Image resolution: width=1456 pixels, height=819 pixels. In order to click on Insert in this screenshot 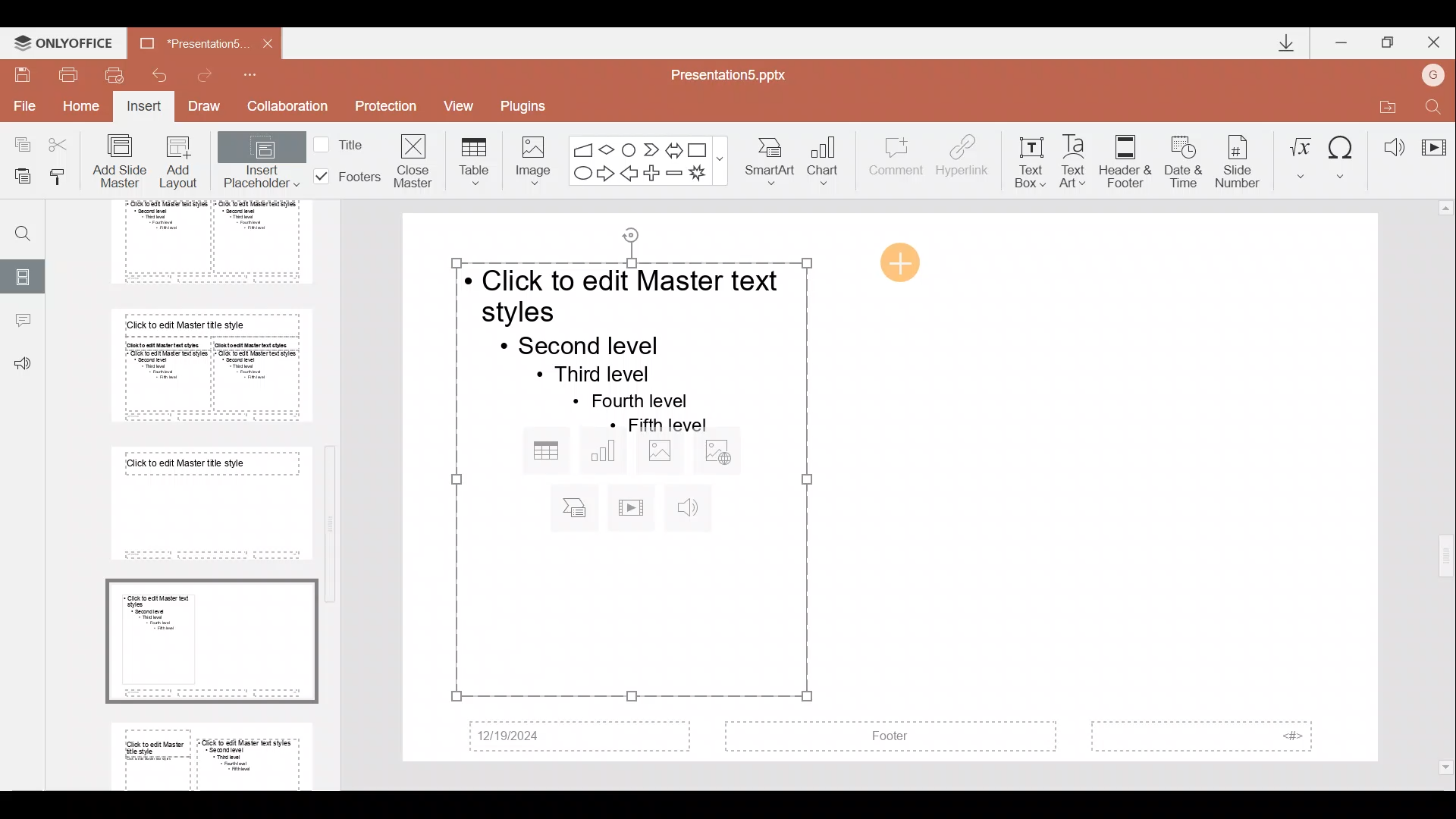, I will do `click(145, 108)`.